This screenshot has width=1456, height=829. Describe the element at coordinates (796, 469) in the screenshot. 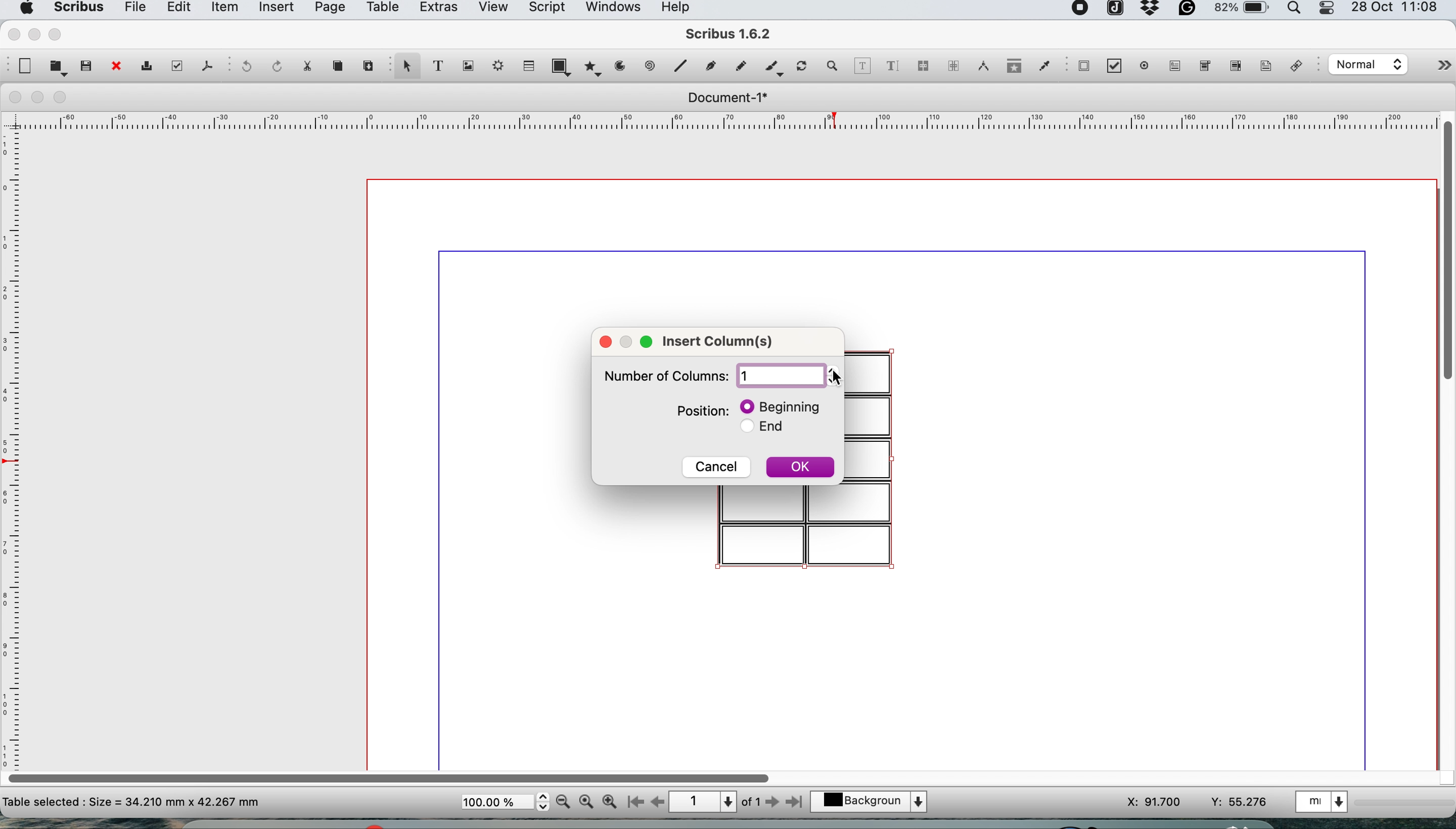

I see `ok` at that location.